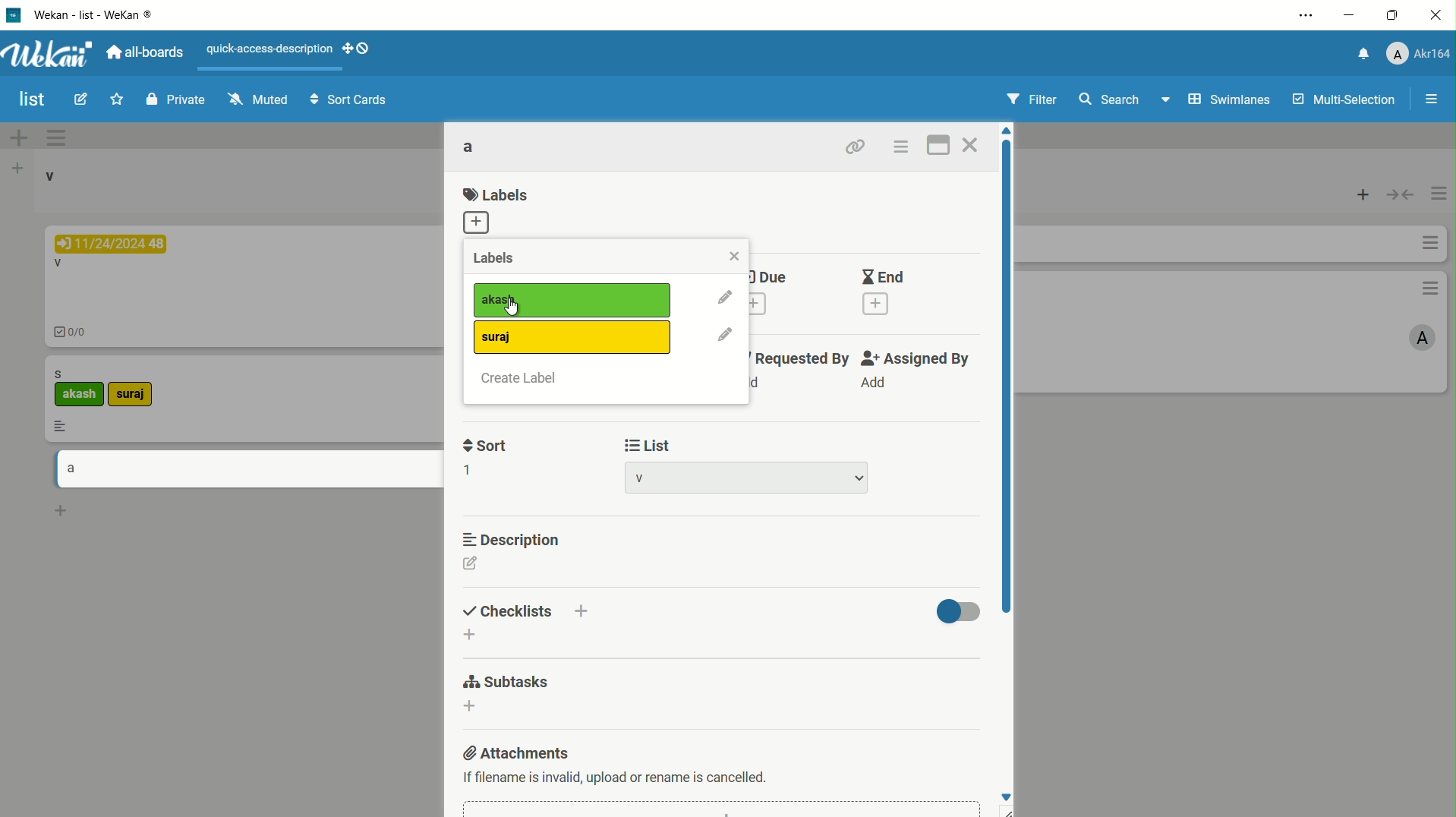  What do you see at coordinates (727, 296) in the screenshot?
I see `edit` at bounding box center [727, 296].